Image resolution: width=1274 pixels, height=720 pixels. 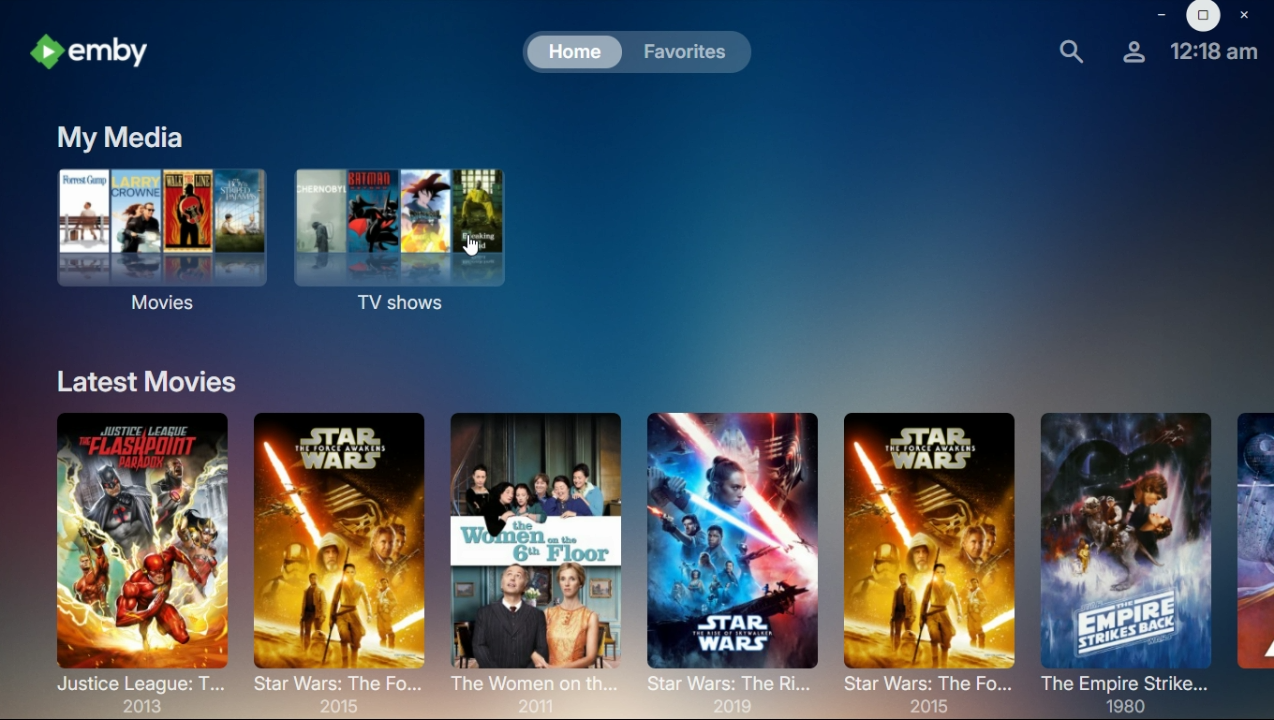 What do you see at coordinates (1214, 51) in the screenshot?
I see `12.48` at bounding box center [1214, 51].